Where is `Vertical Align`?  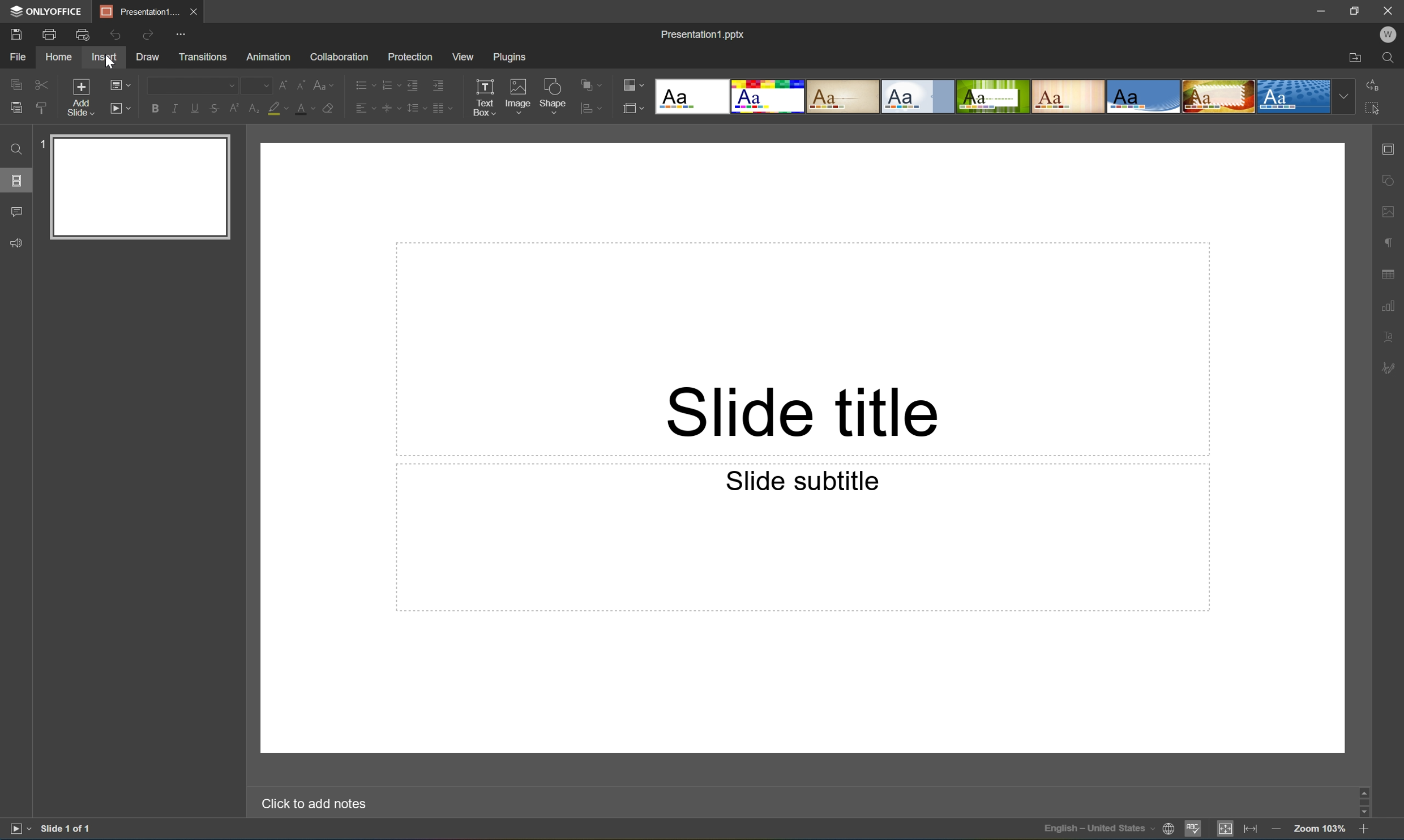 Vertical Align is located at coordinates (391, 108).